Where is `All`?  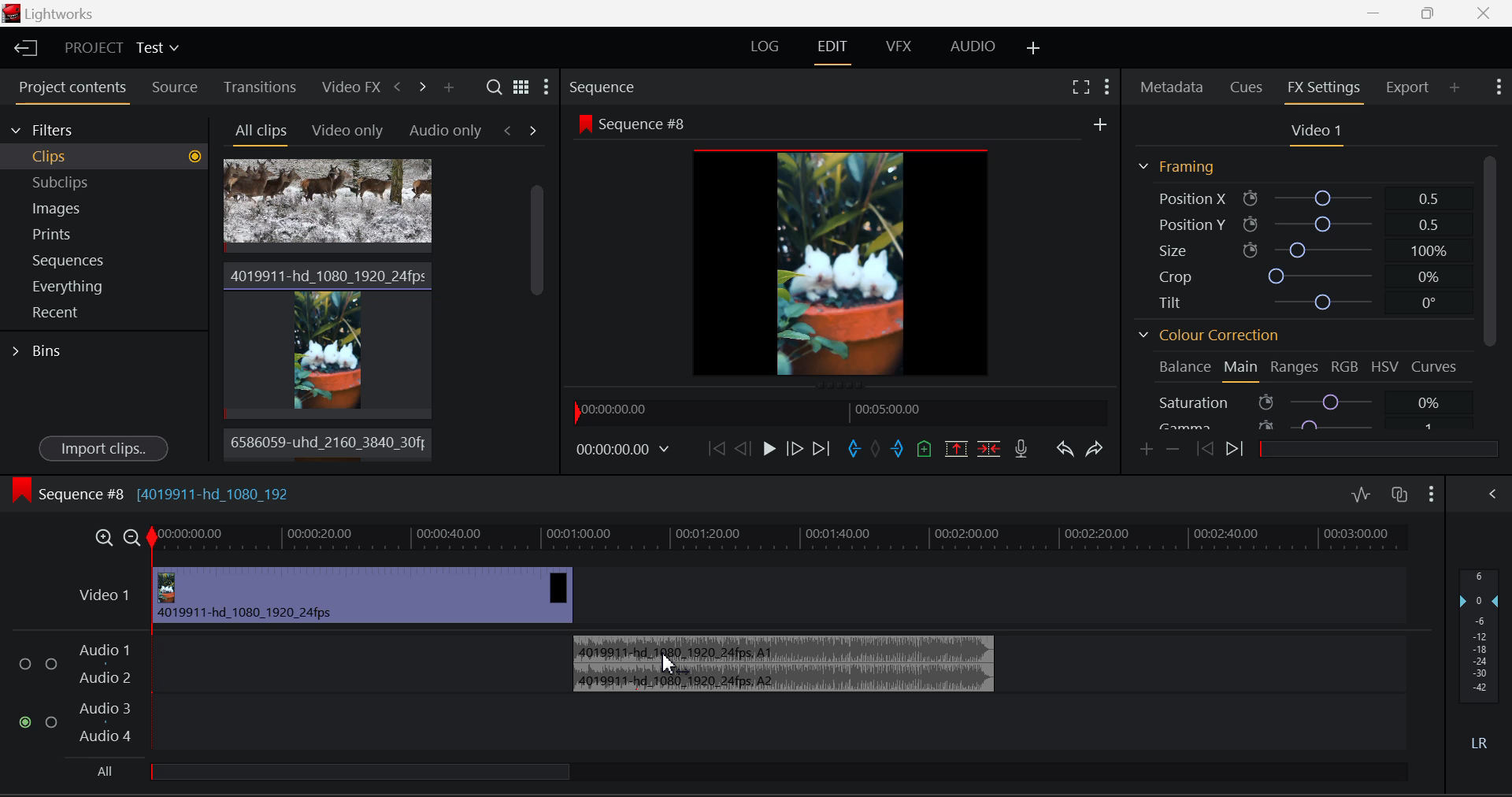
All is located at coordinates (346, 774).